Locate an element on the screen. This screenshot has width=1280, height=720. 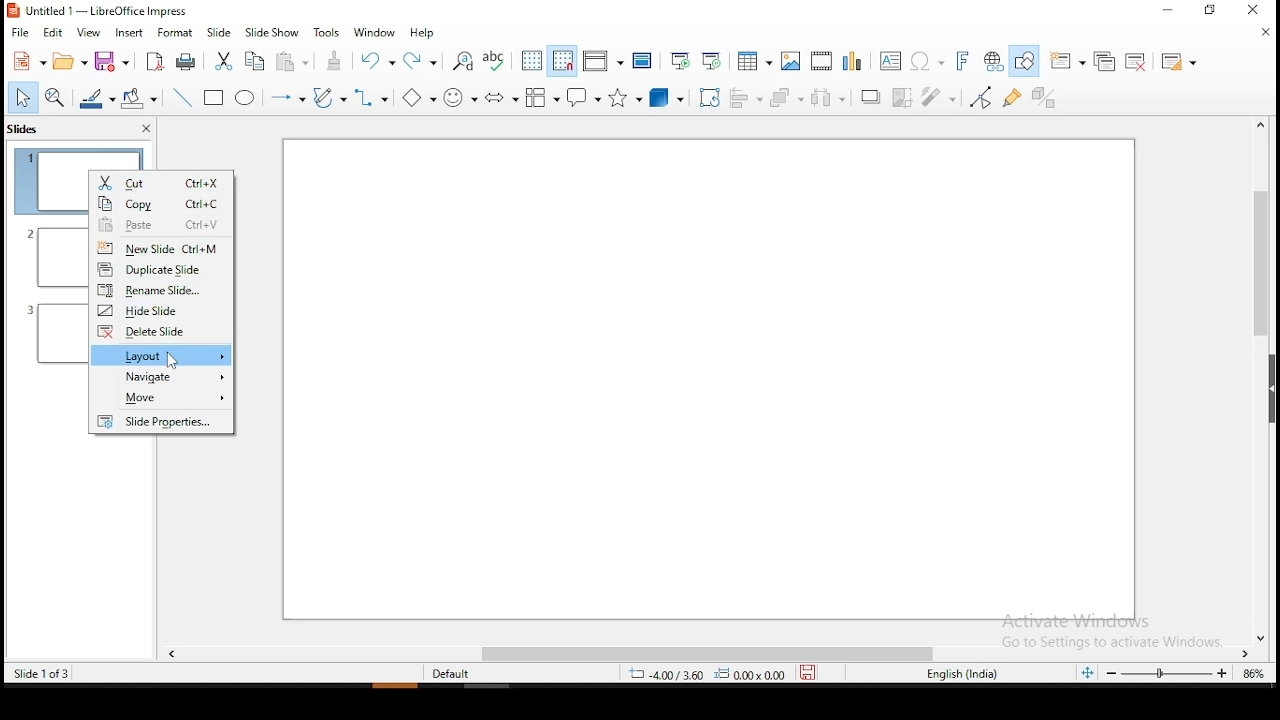
print is located at coordinates (185, 61).